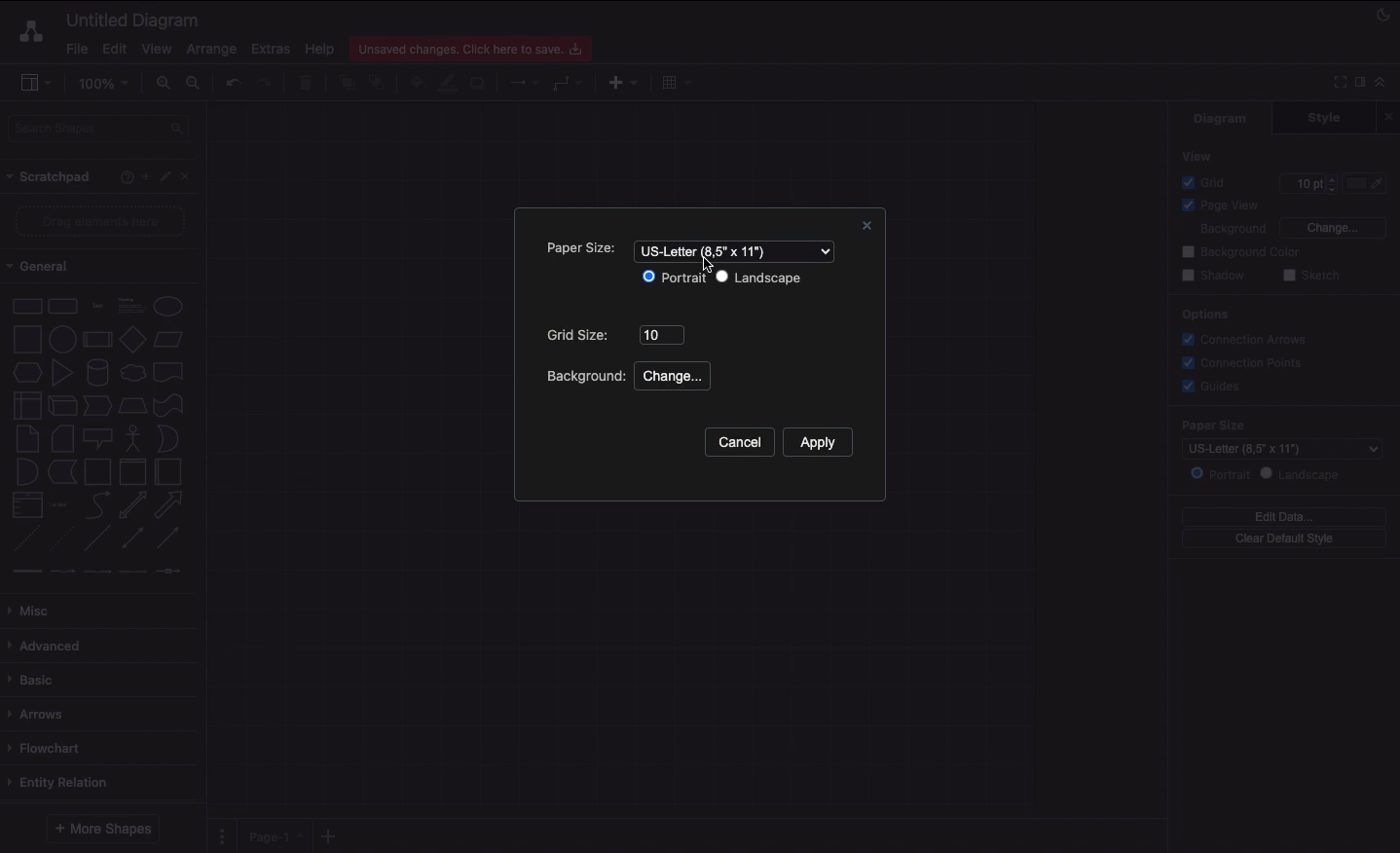 This screenshot has width=1400, height=853. What do you see at coordinates (130, 406) in the screenshot?
I see `Trapezoid` at bounding box center [130, 406].